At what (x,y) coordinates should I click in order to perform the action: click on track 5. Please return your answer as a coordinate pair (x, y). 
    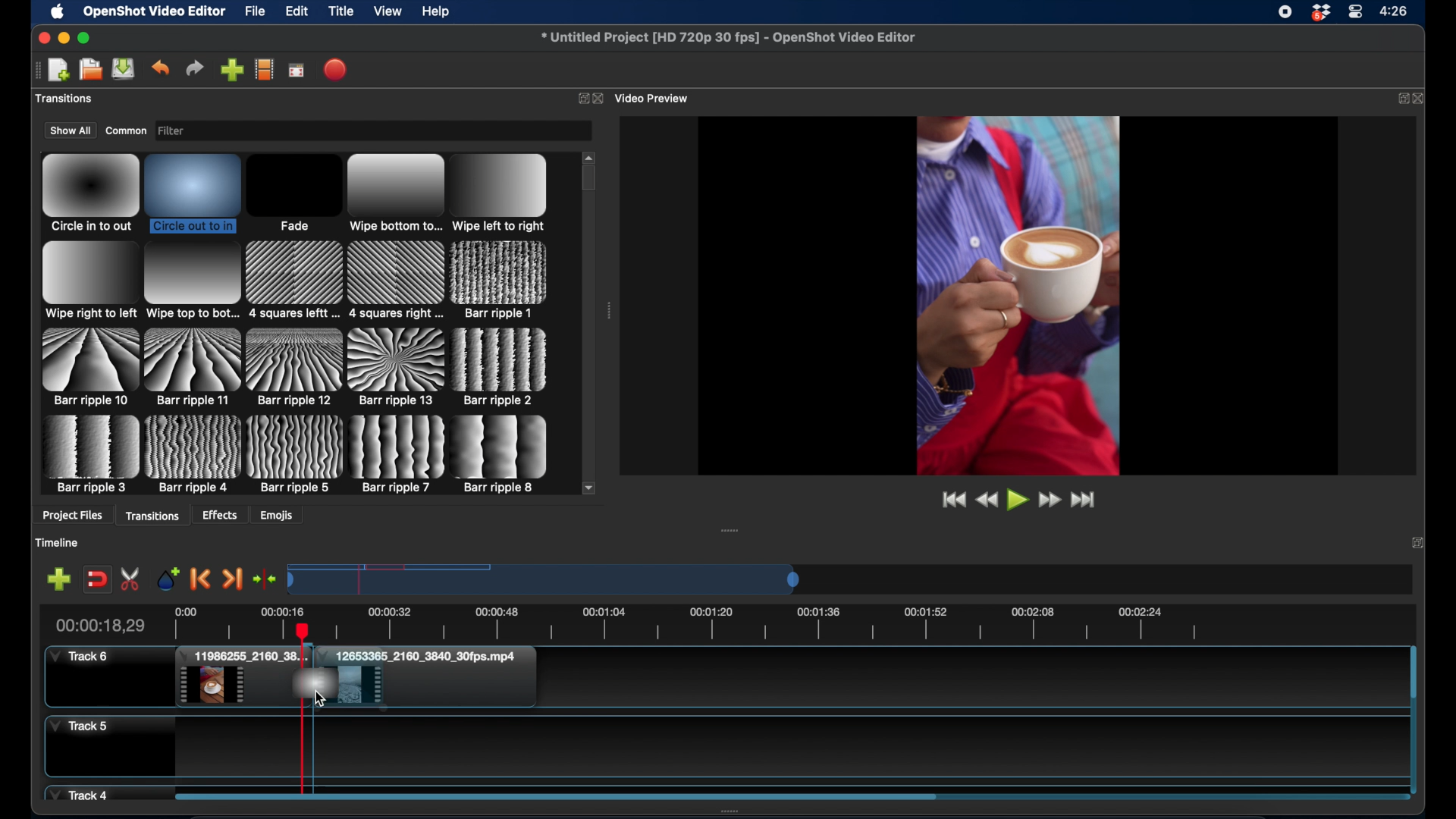
    Looking at the image, I should click on (79, 726).